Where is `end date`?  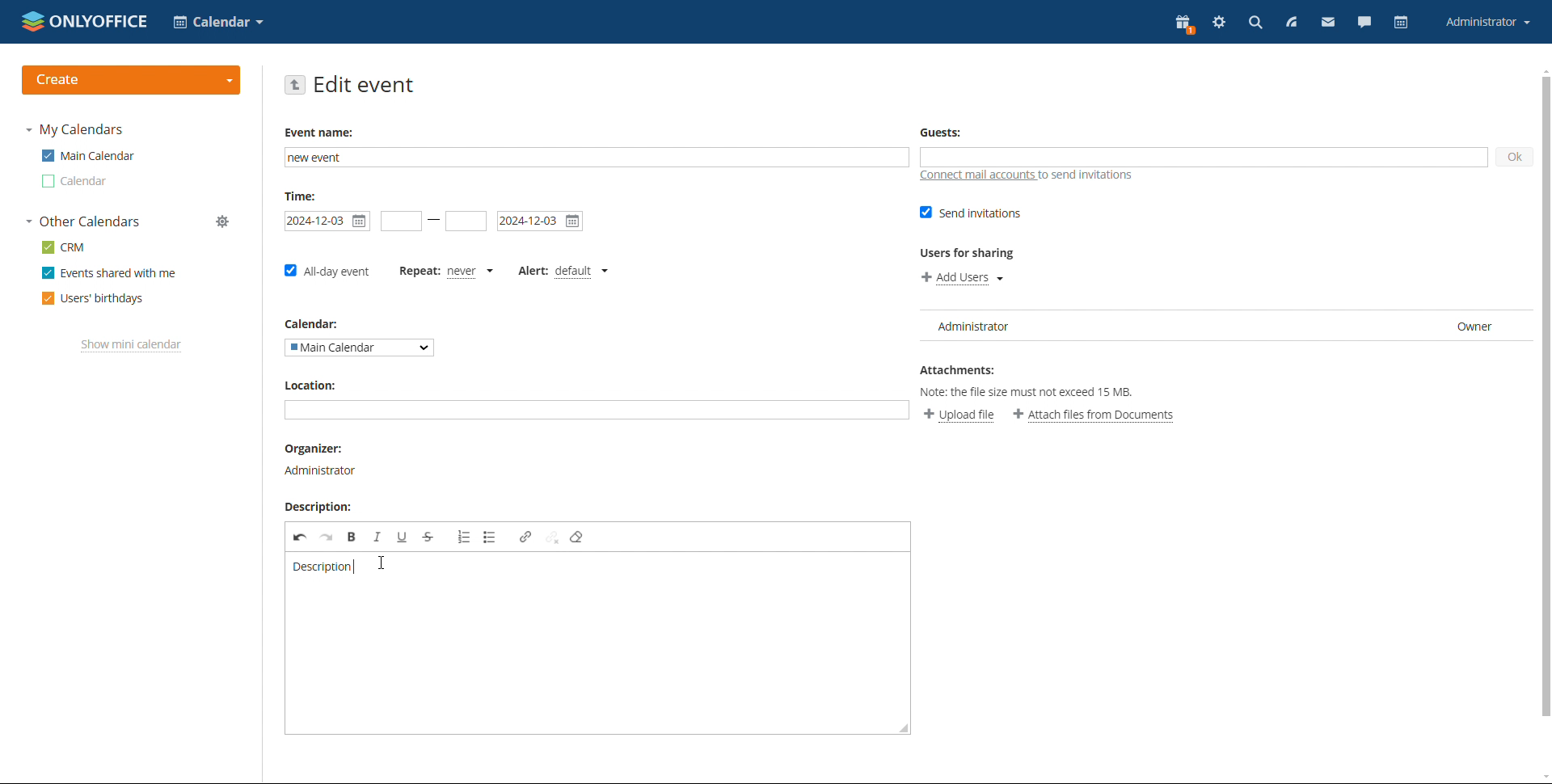
end date is located at coordinates (540, 221).